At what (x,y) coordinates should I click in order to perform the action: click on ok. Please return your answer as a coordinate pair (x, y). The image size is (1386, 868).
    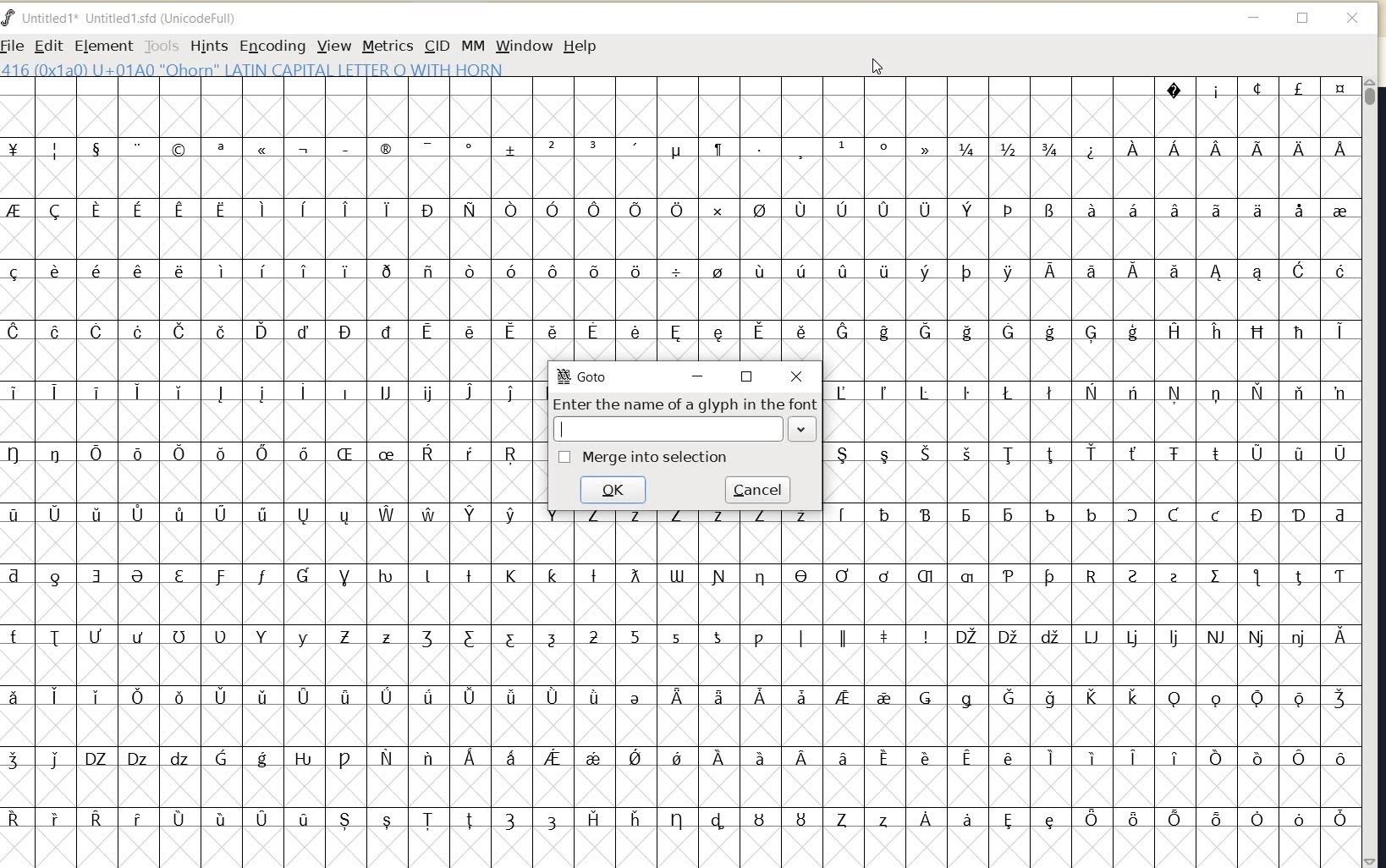
    Looking at the image, I should click on (611, 490).